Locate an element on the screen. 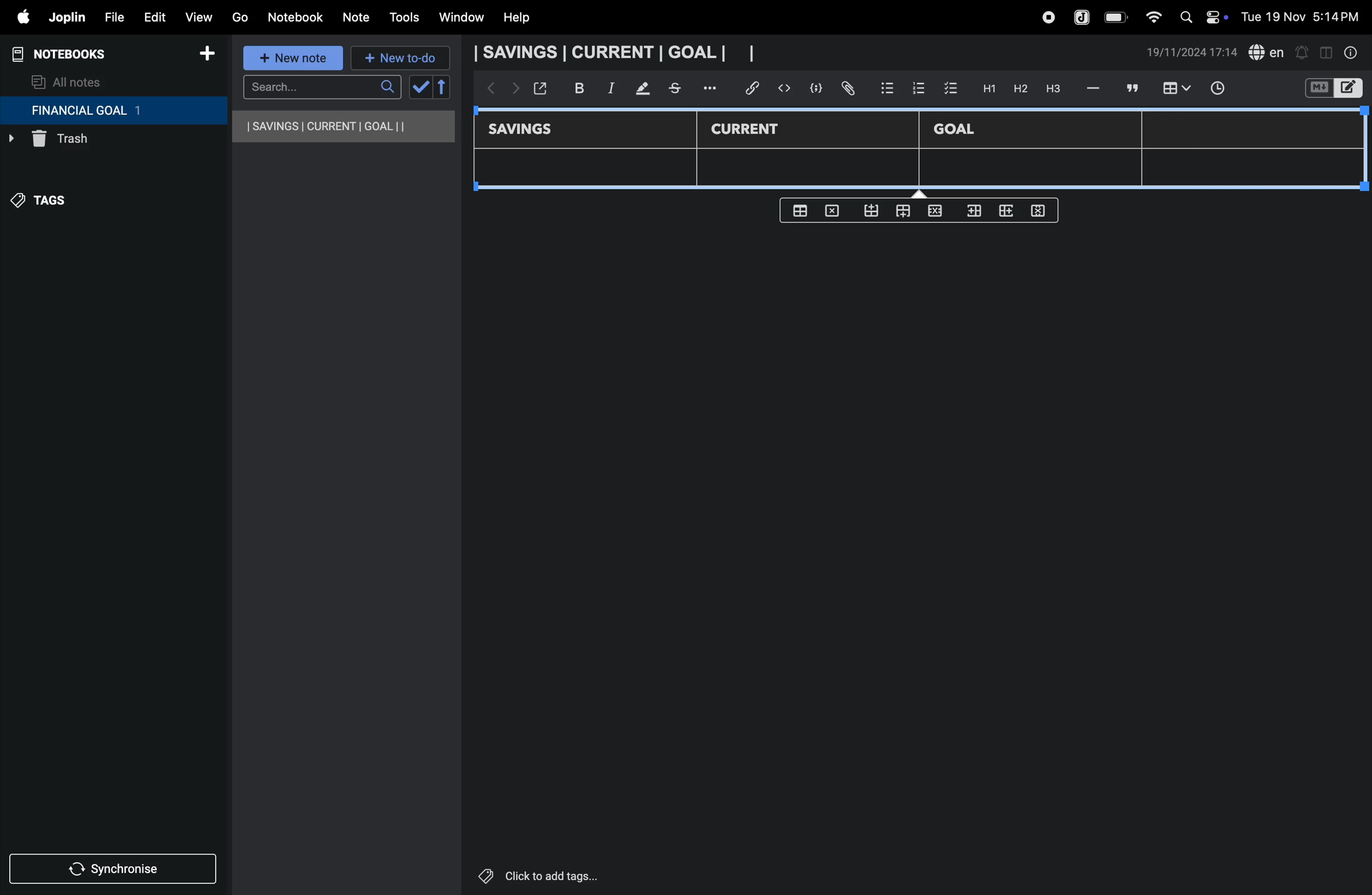 Image resolution: width=1372 pixels, height=895 pixels. delete is located at coordinates (835, 210).